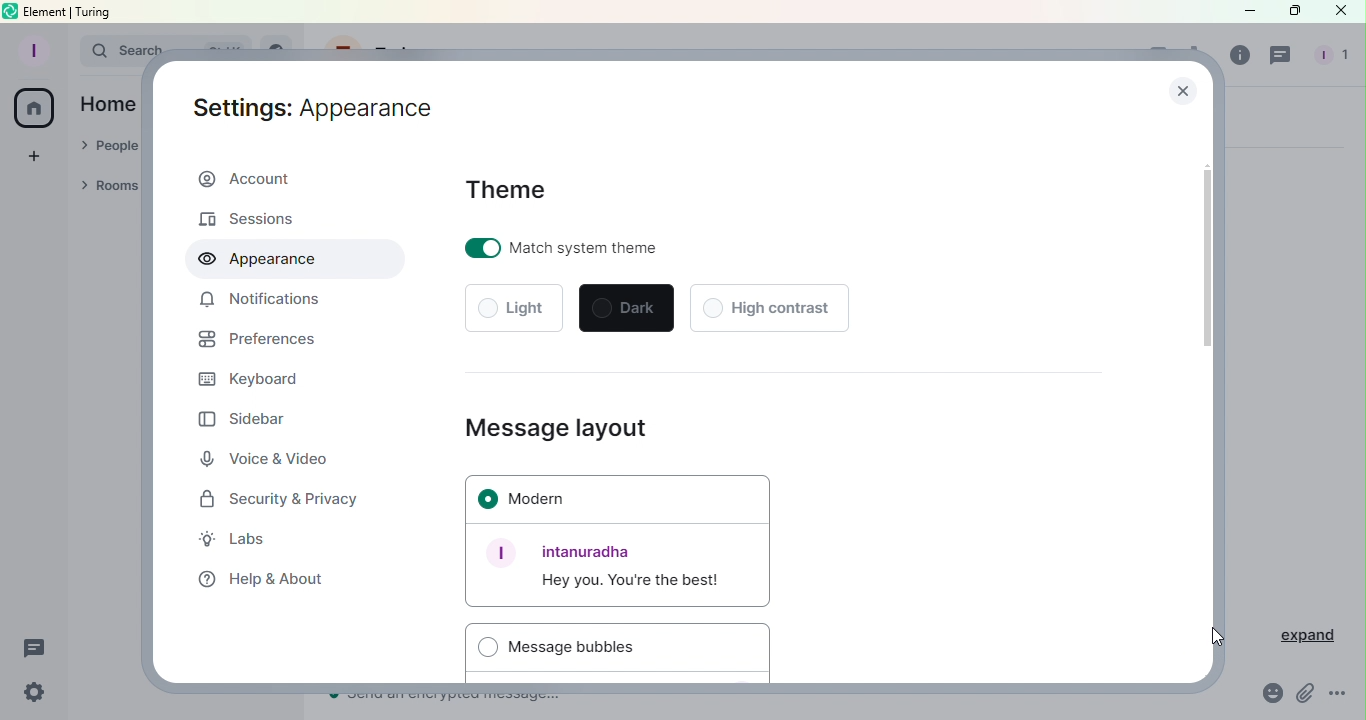  Describe the element at coordinates (1340, 697) in the screenshot. I see `More Options` at that location.